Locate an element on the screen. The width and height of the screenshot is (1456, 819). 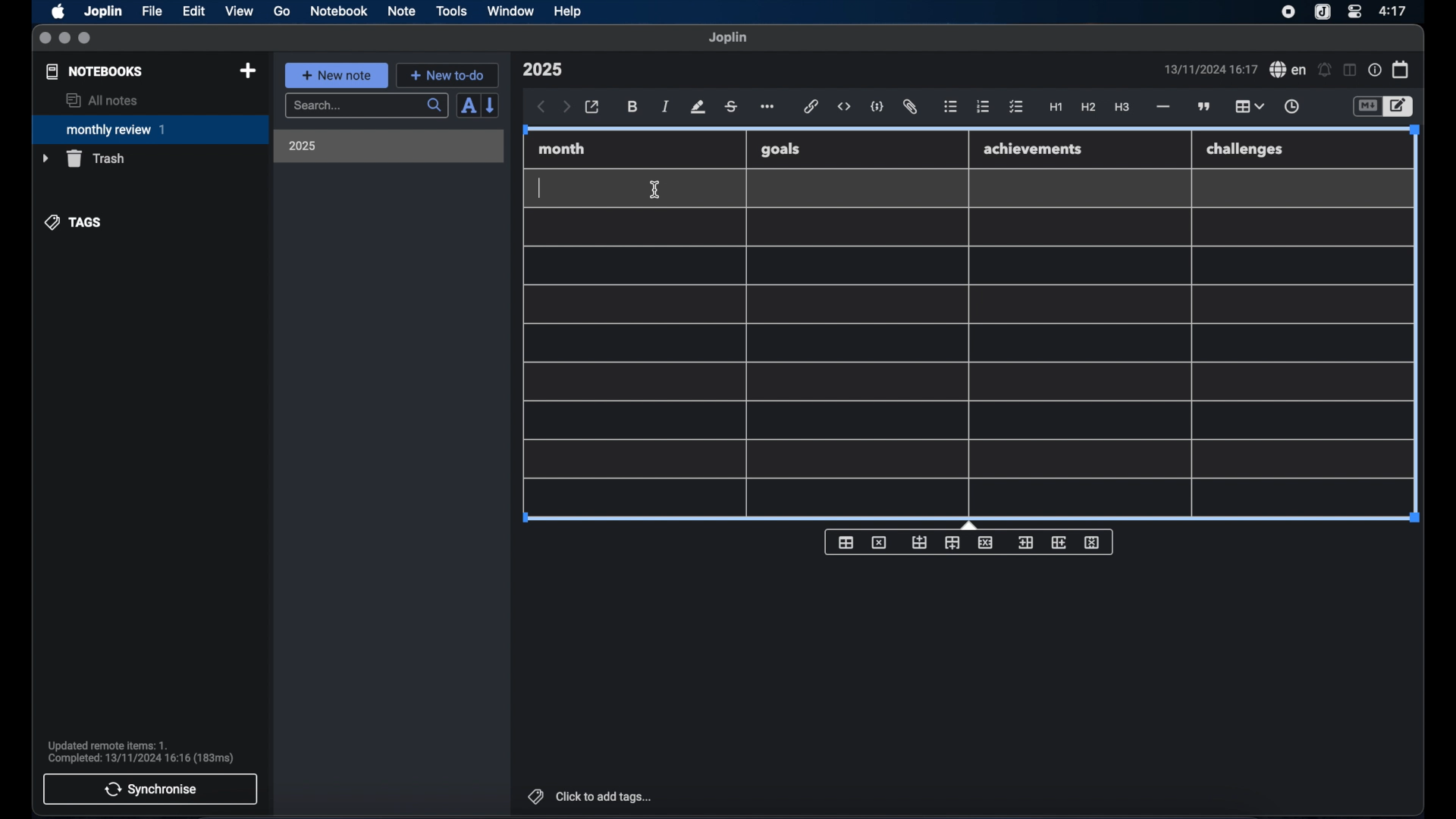
heading 3 is located at coordinates (1122, 108).